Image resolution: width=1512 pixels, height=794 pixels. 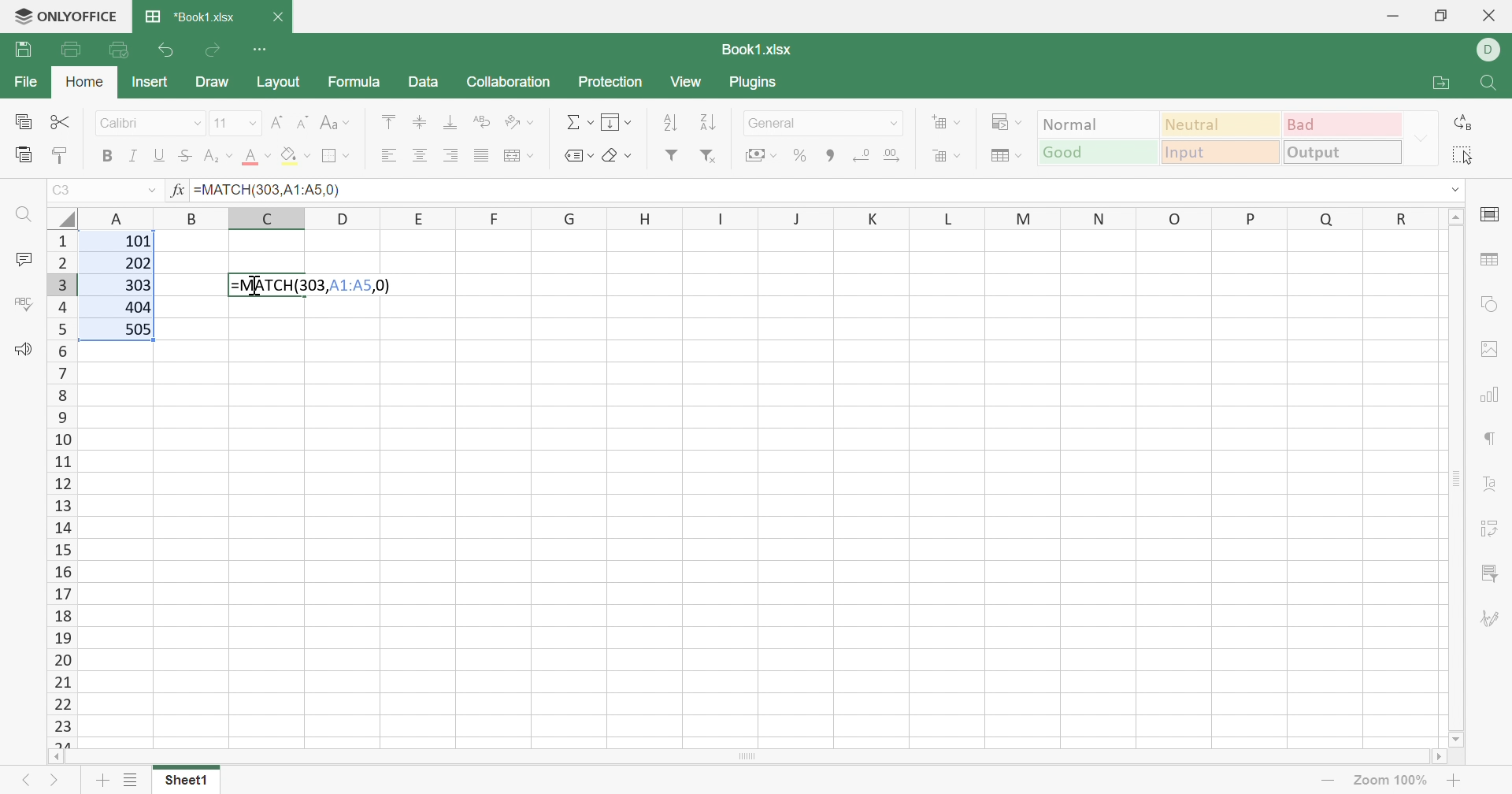 What do you see at coordinates (136, 286) in the screenshot?
I see `303` at bounding box center [136, 286].